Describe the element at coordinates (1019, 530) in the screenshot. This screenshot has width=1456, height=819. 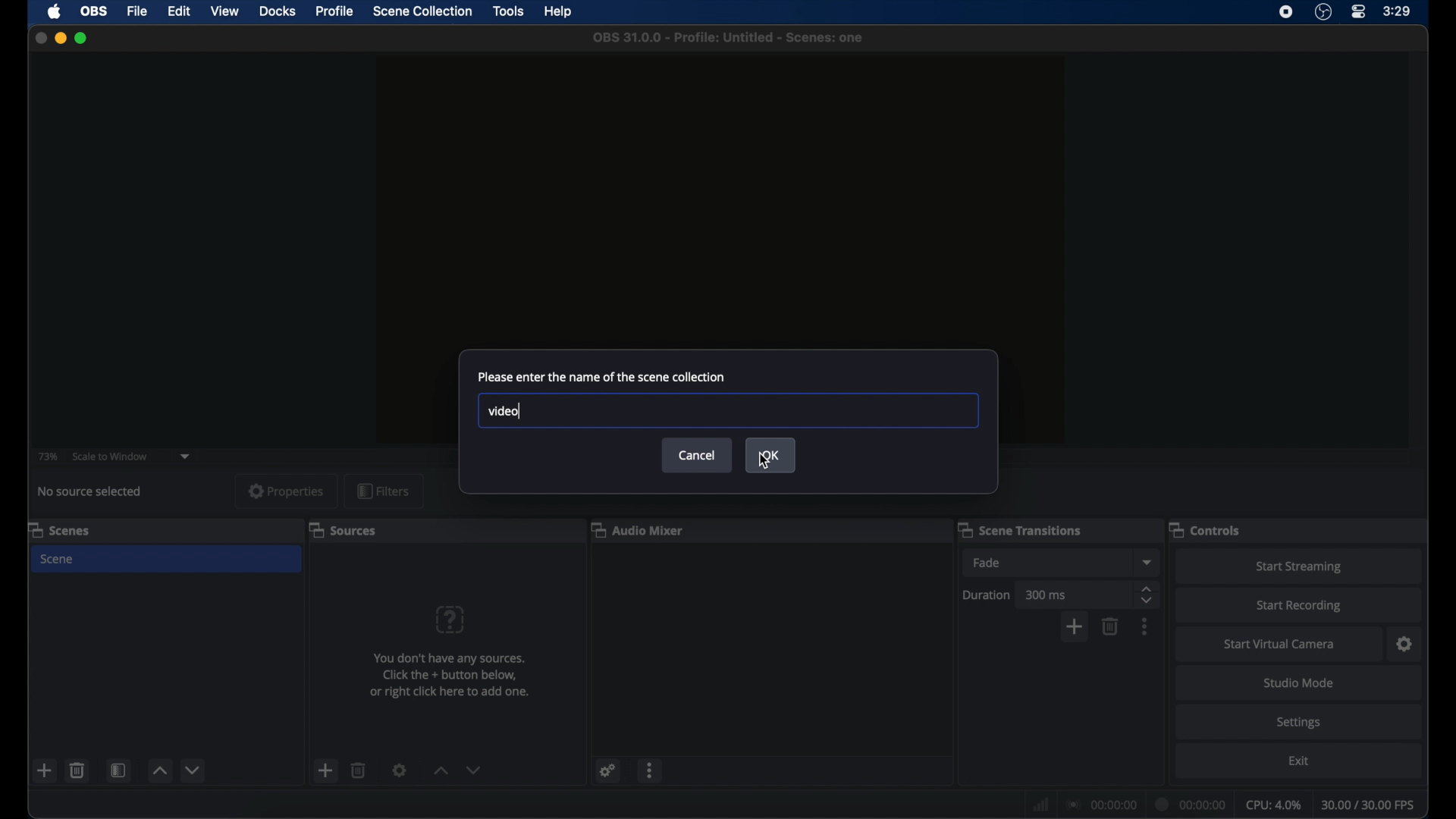
I see `scene transitions` at that location.